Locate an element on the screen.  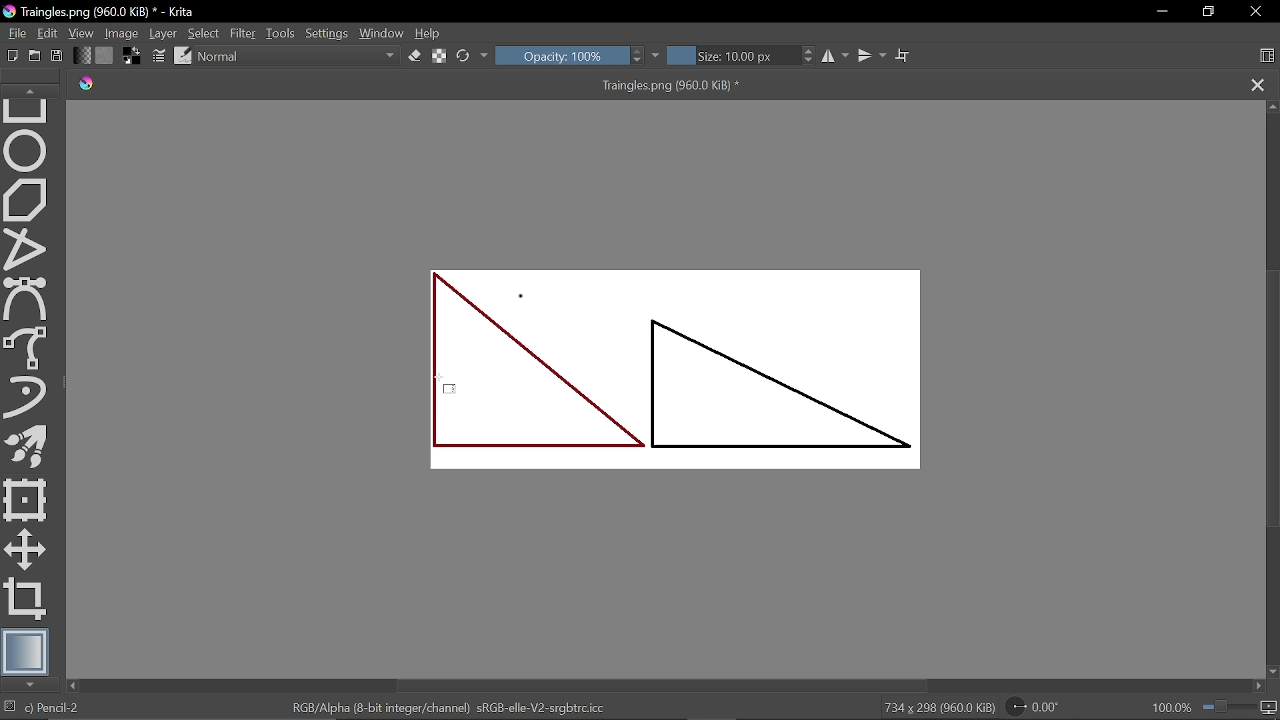
Gradient tool is located at coordinates (26, 651).